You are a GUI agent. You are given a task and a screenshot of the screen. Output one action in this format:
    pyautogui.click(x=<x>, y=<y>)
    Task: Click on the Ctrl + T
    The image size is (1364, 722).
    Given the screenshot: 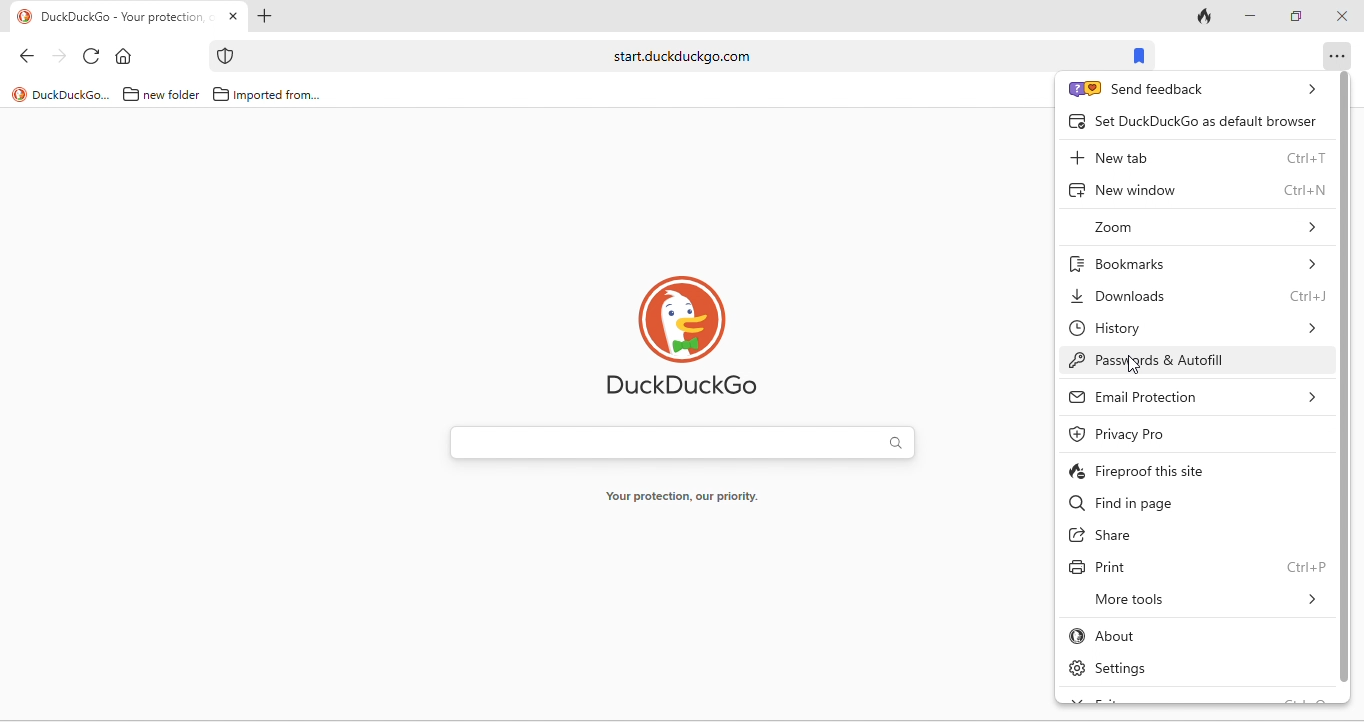 What is the action you would take?
    pyautogui.click(x=1306, y=159)
    